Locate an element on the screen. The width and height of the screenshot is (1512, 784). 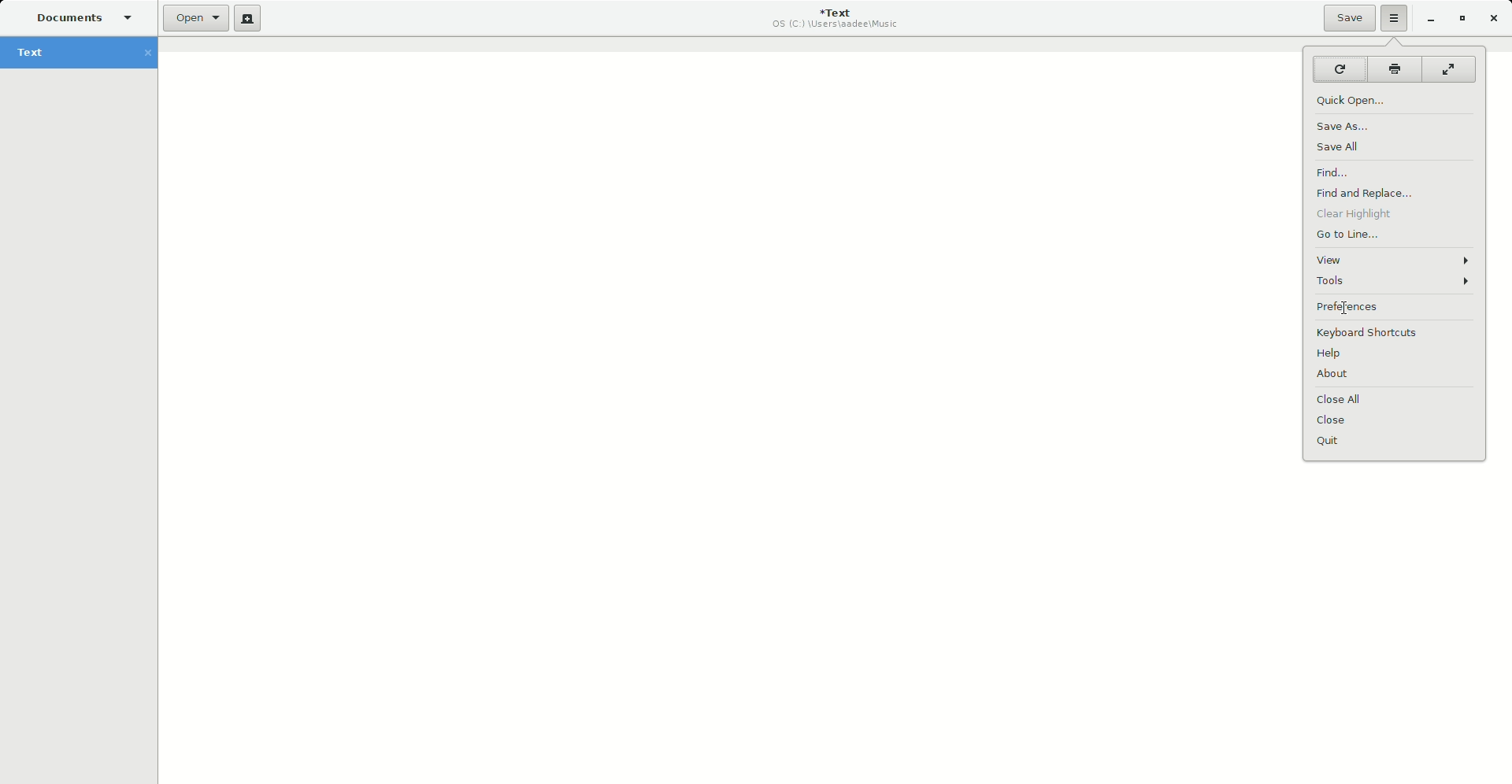
Print is located at coordinates (1394, 69).